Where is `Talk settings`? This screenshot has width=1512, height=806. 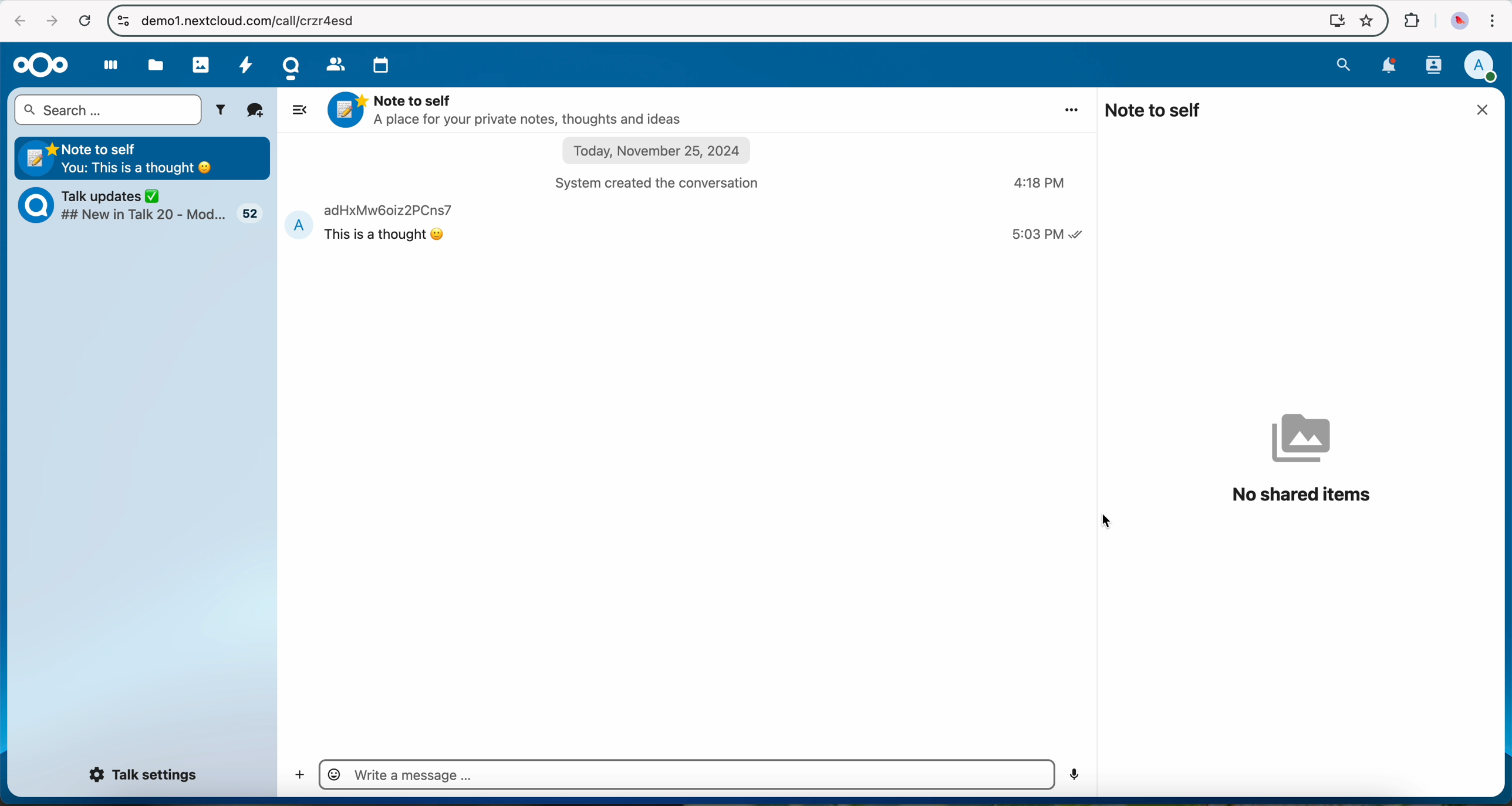 Talk settings is located at coordinates (146, 775).